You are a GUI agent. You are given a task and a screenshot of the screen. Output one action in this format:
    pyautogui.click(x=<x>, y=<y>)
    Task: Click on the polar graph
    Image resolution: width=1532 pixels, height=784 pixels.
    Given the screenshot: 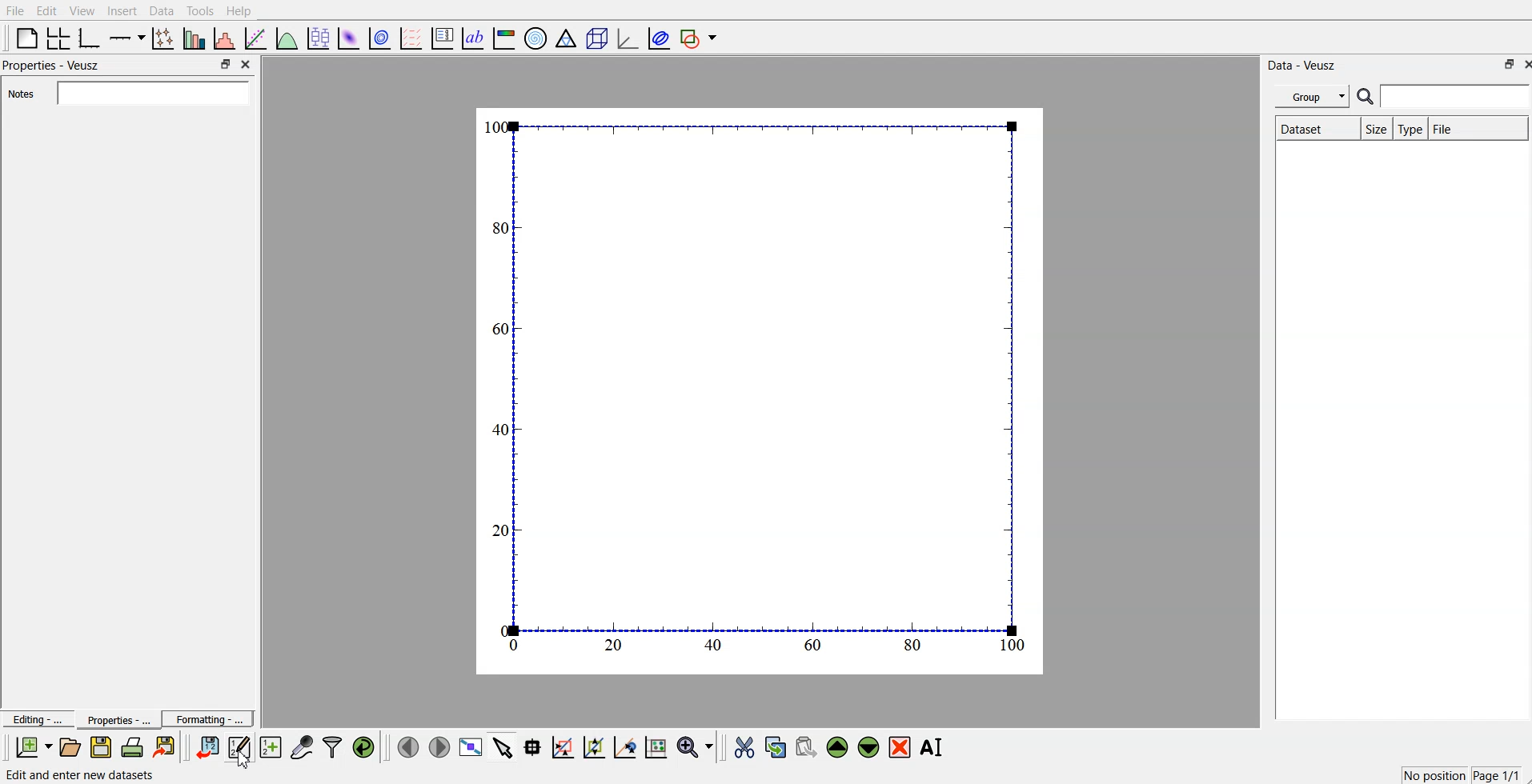 What is the action you would take?
    pyautogui.click(x=537, y=37)
    